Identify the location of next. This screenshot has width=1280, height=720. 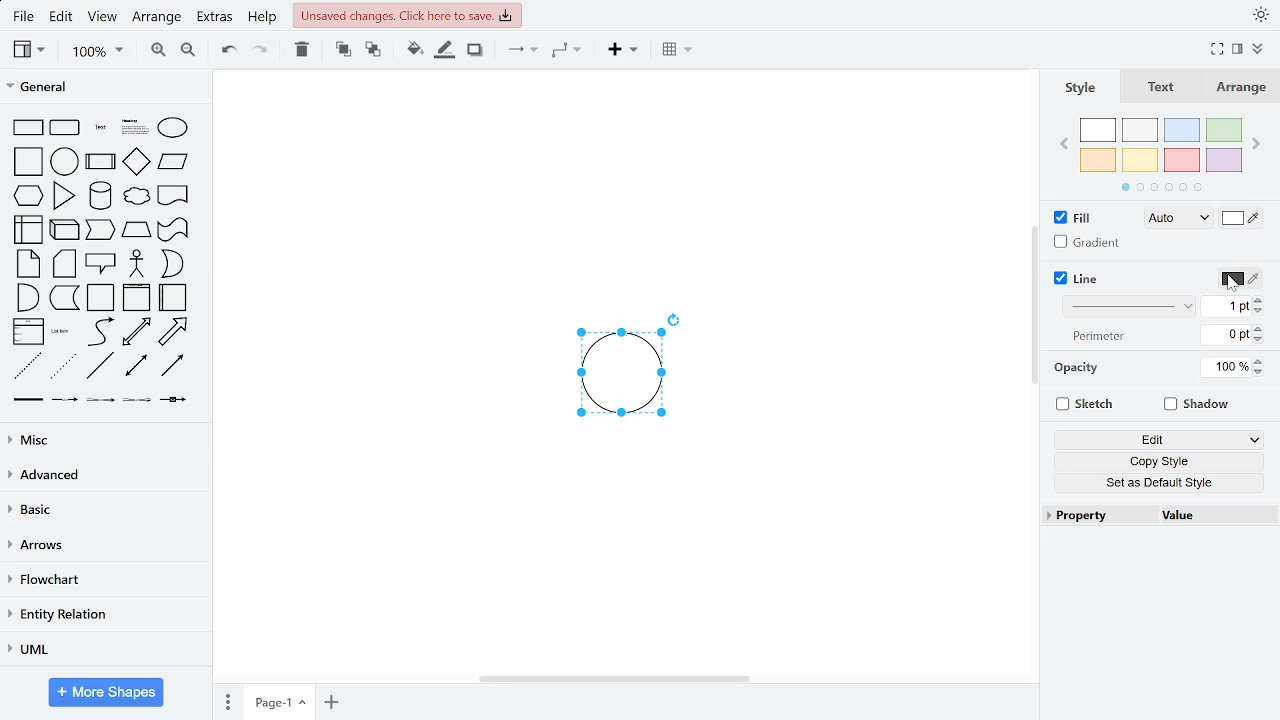
(1256, 145).